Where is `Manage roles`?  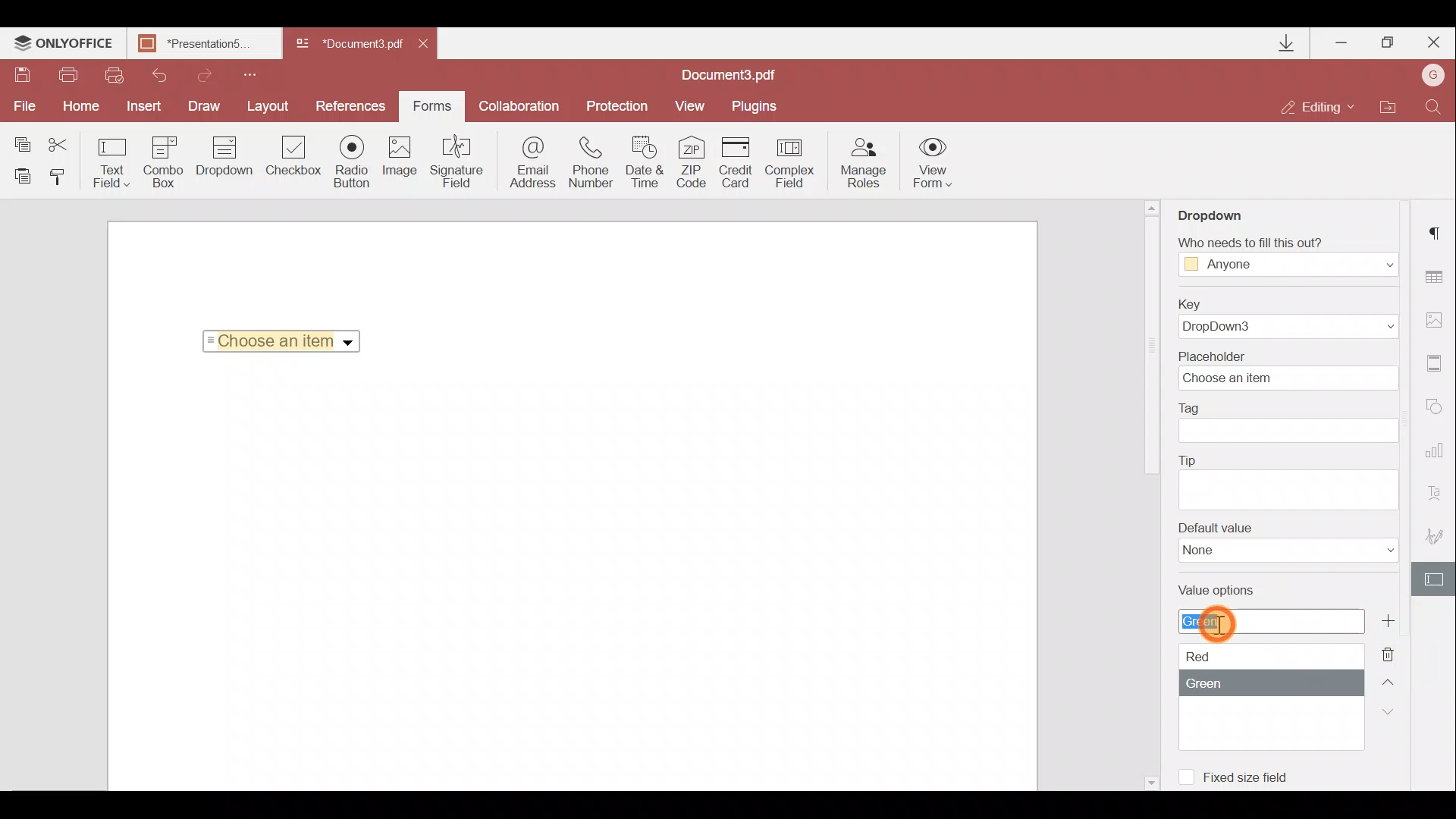
Manage roles is located at coordinates (864, 163).